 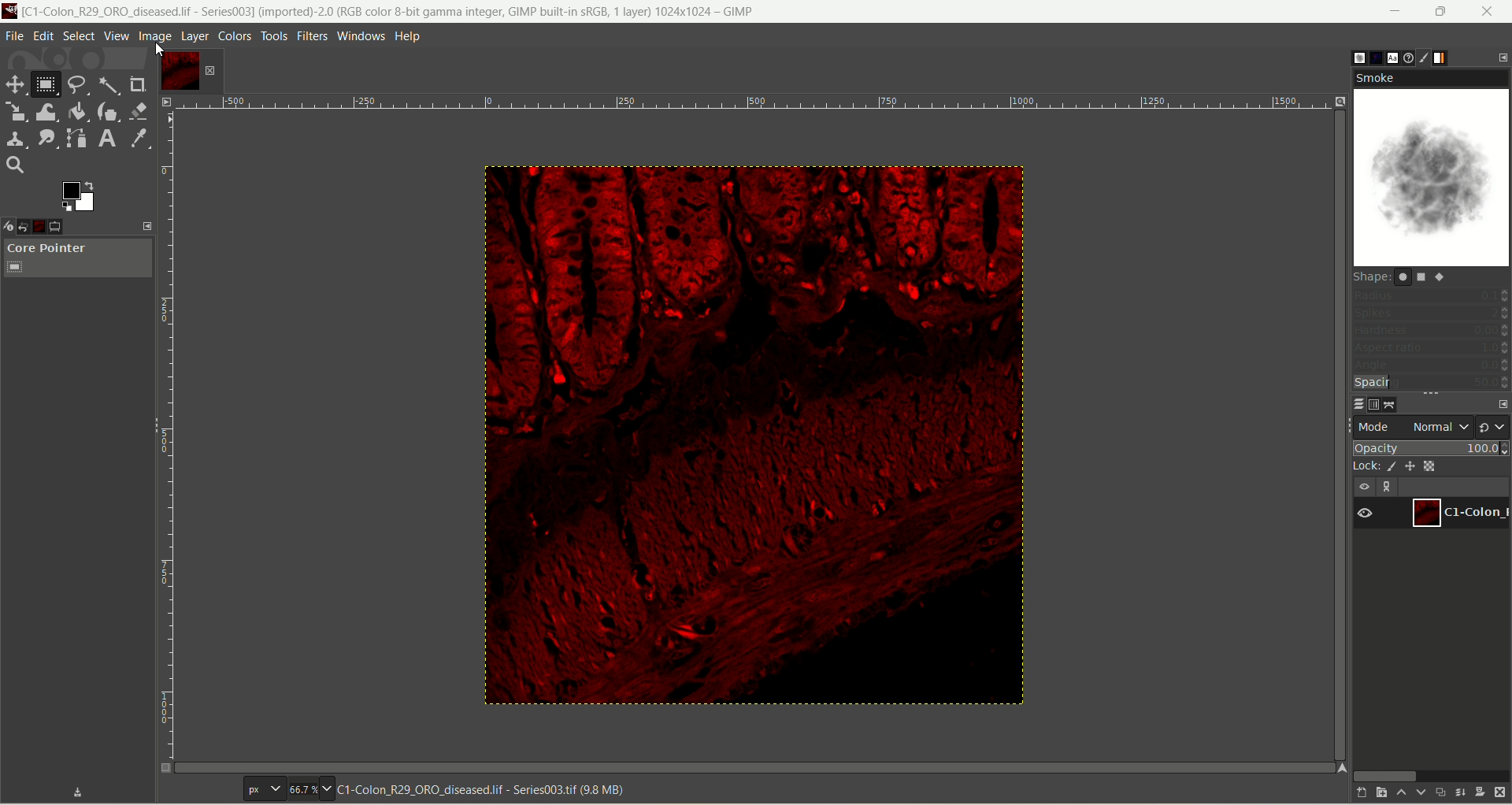 I want to click on document history, so click(x=1404, y=57).